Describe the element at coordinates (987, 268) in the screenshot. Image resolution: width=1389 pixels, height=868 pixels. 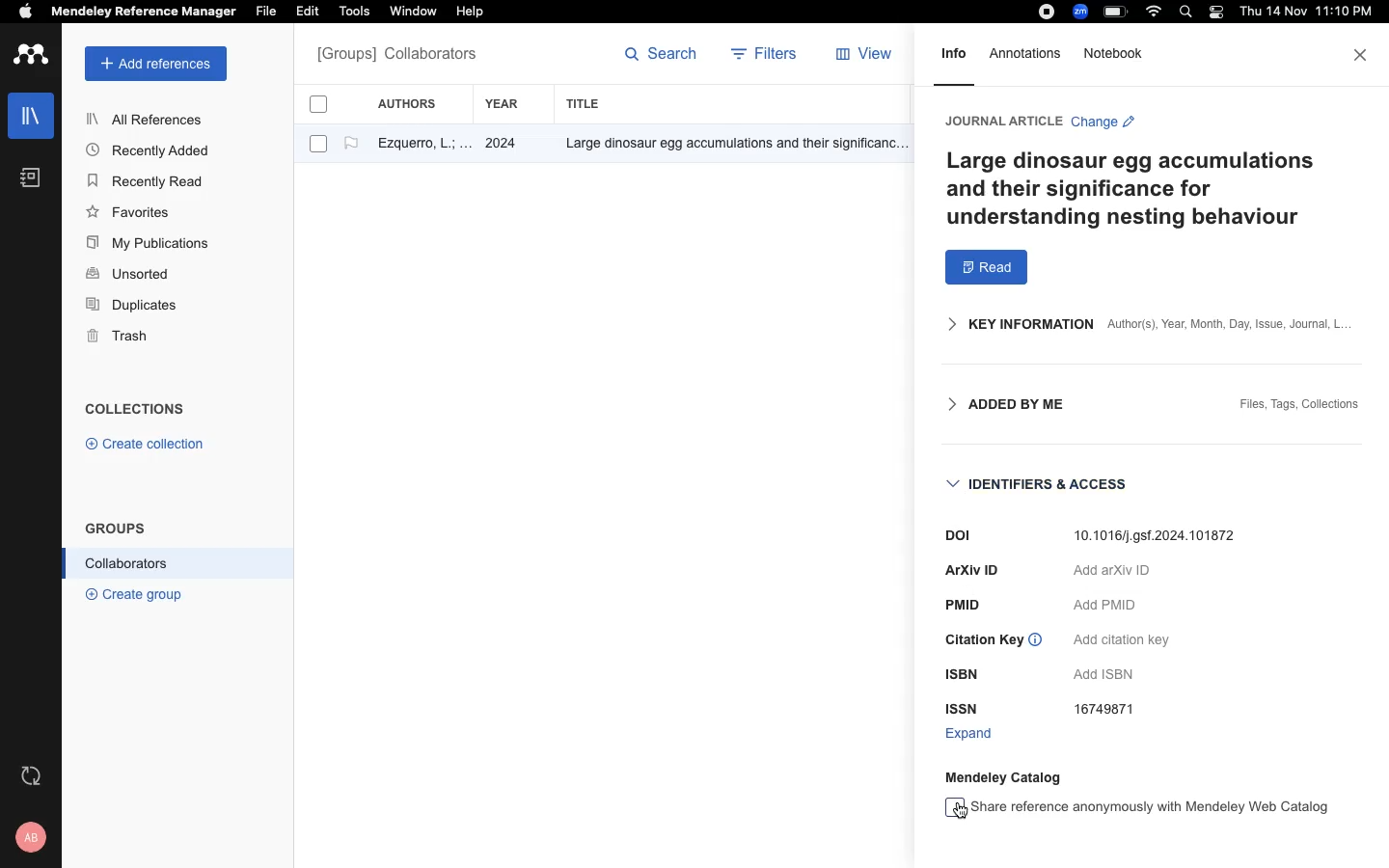
I see `read` at that location.